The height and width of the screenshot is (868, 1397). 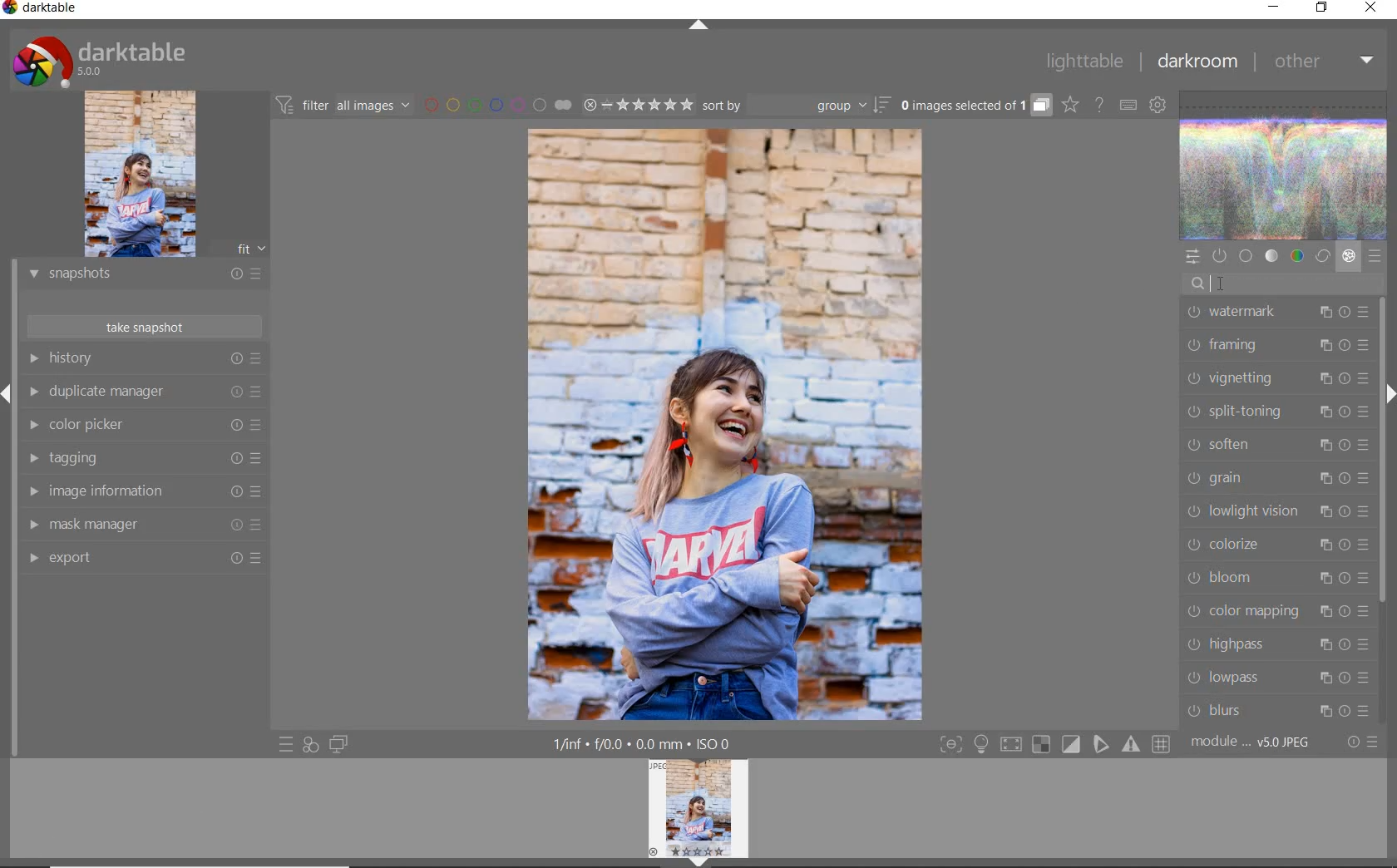 What do you see at coordinates (1127, 104) in the screenshot?
I see `set keyboard shortcuts` at bounding box center [1127, 104].